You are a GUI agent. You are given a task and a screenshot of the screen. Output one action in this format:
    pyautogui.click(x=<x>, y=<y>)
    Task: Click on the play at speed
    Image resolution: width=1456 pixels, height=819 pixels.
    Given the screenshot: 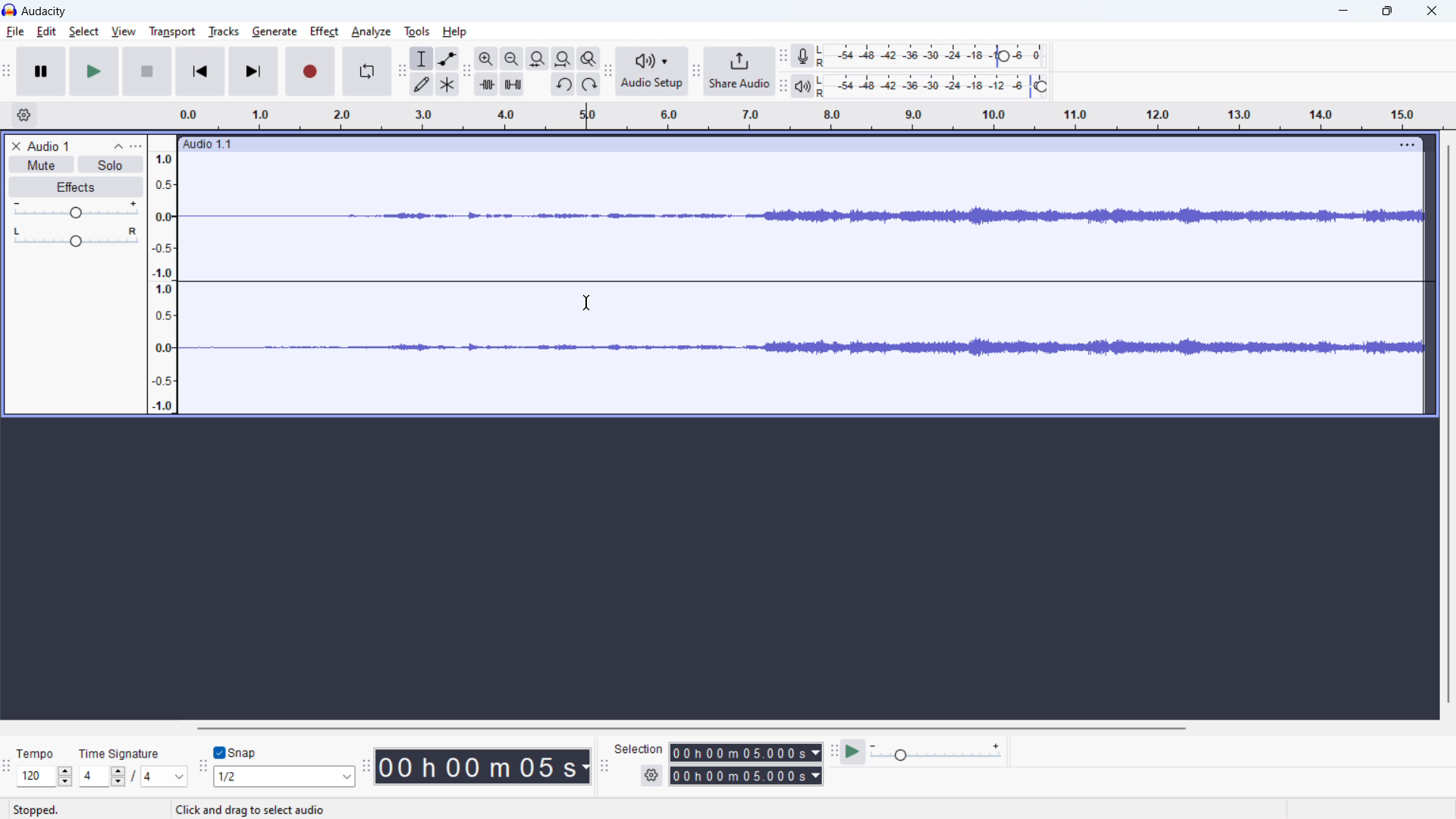 What is the action you would take?
    pyautogui.click(x=852, y=752)
    